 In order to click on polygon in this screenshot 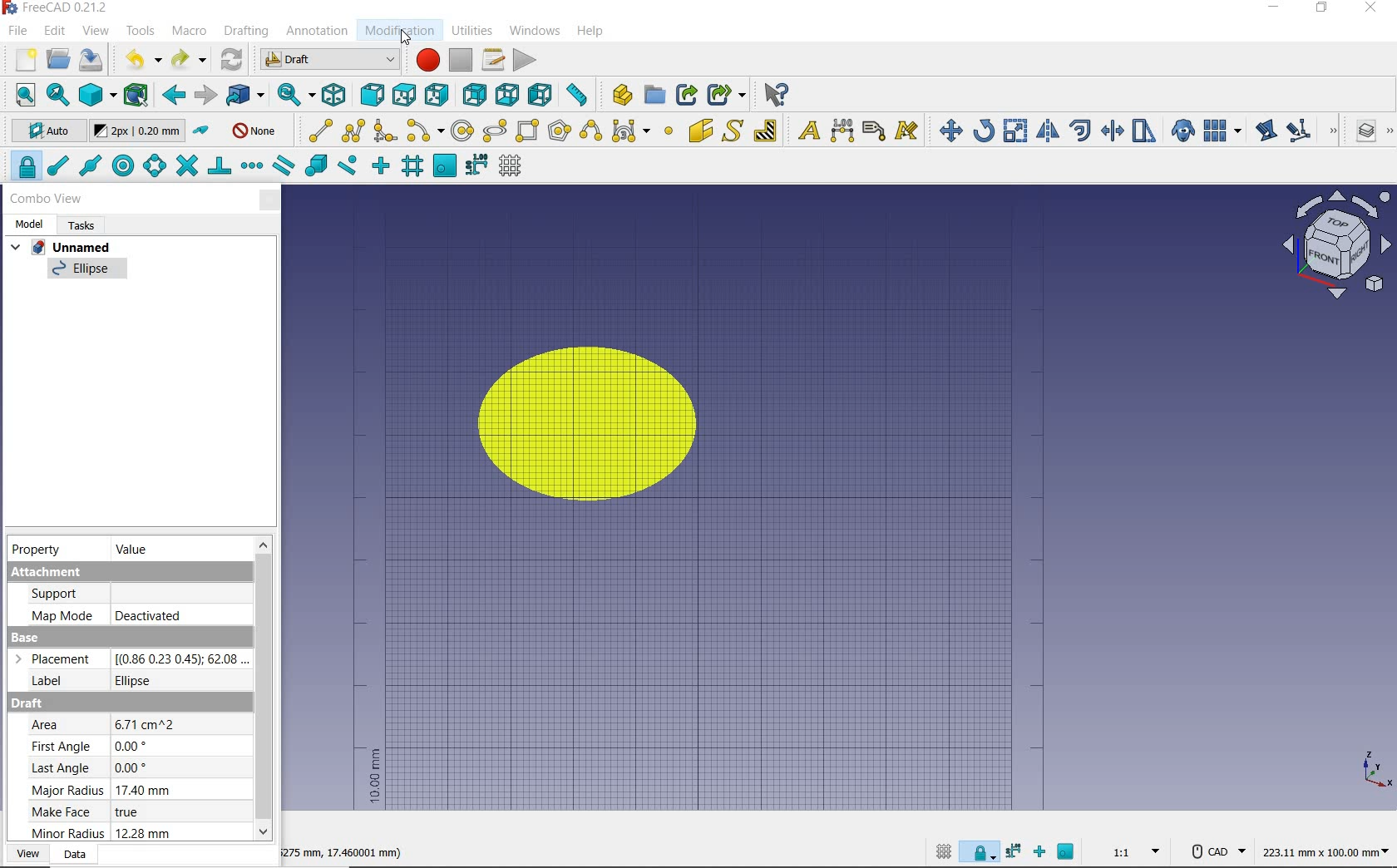, I will do `click(560, 131)`.